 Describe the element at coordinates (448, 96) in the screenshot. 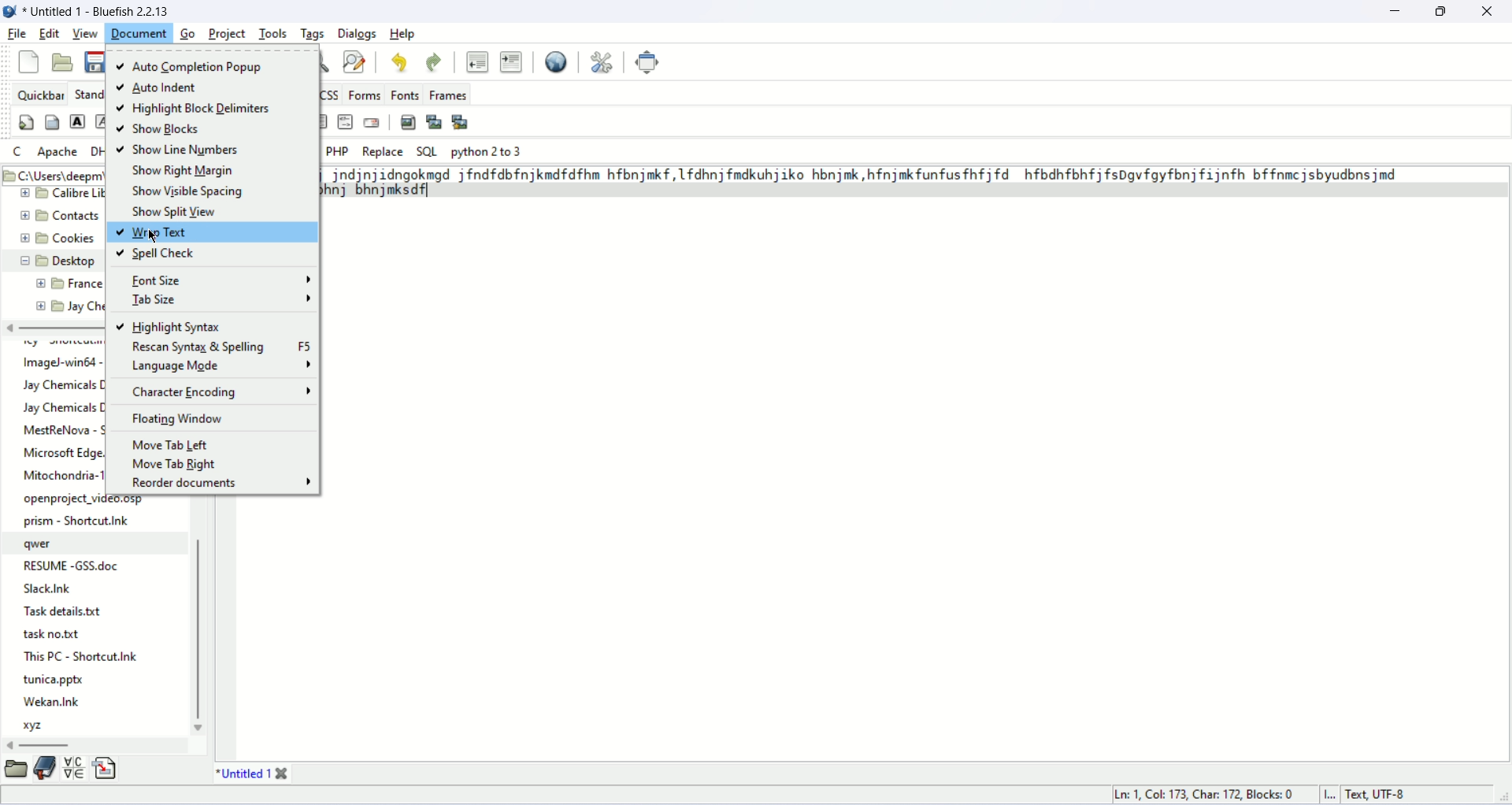

I see `frames` at that location.